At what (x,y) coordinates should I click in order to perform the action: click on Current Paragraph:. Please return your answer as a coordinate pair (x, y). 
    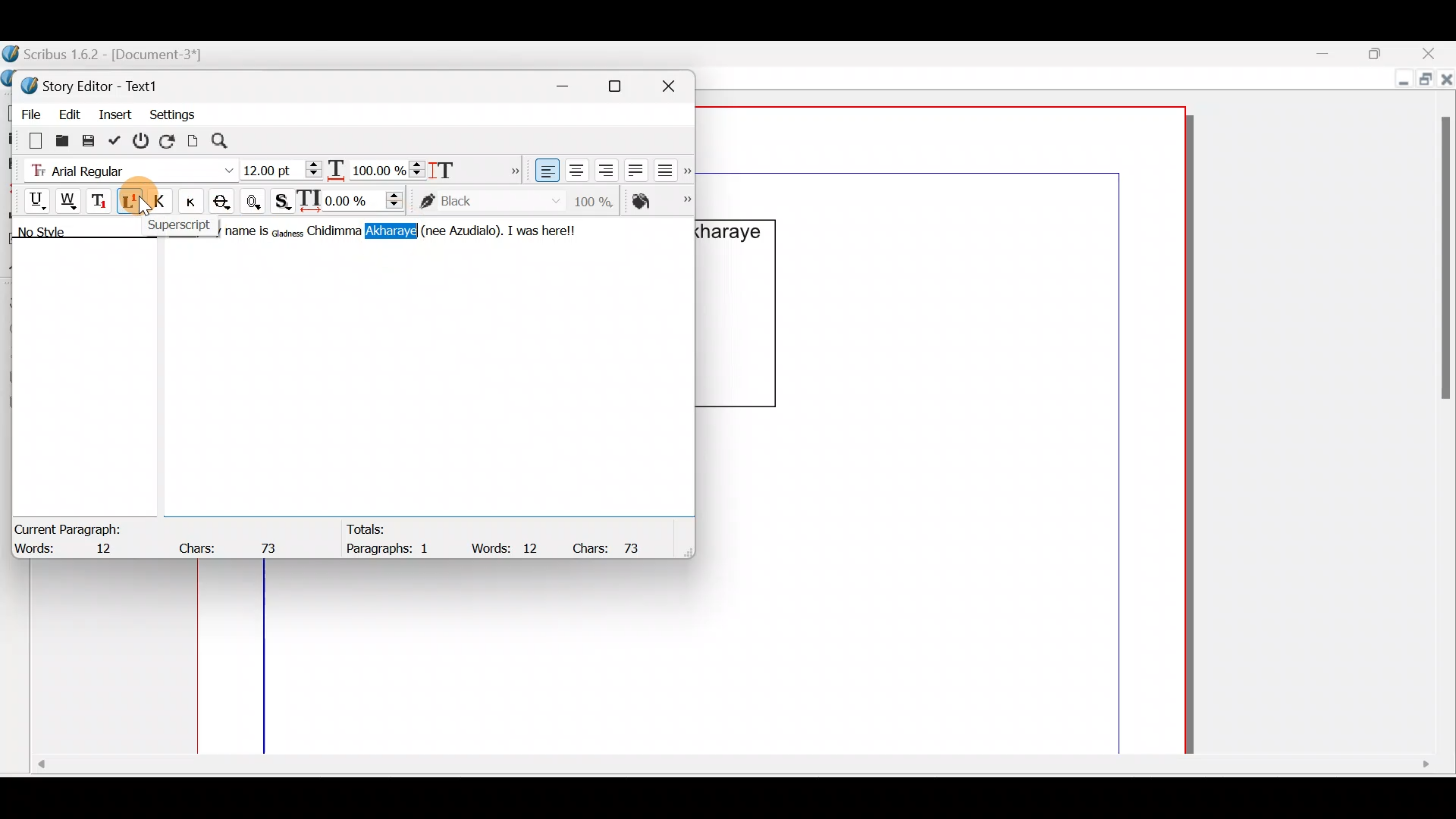
    Looking at the image, I should click on (70, 527).